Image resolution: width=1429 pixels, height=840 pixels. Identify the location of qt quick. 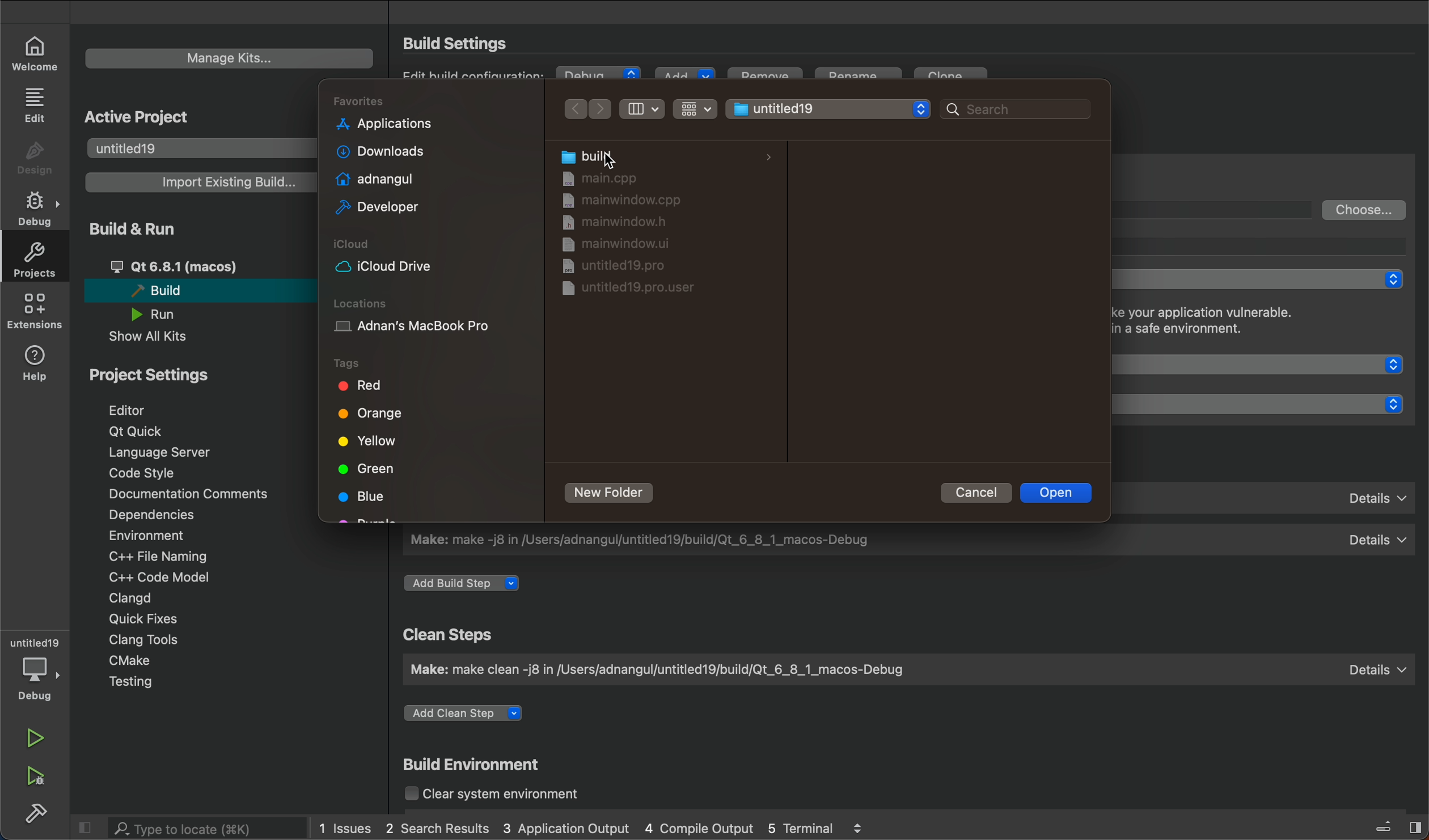
(1269, 364).